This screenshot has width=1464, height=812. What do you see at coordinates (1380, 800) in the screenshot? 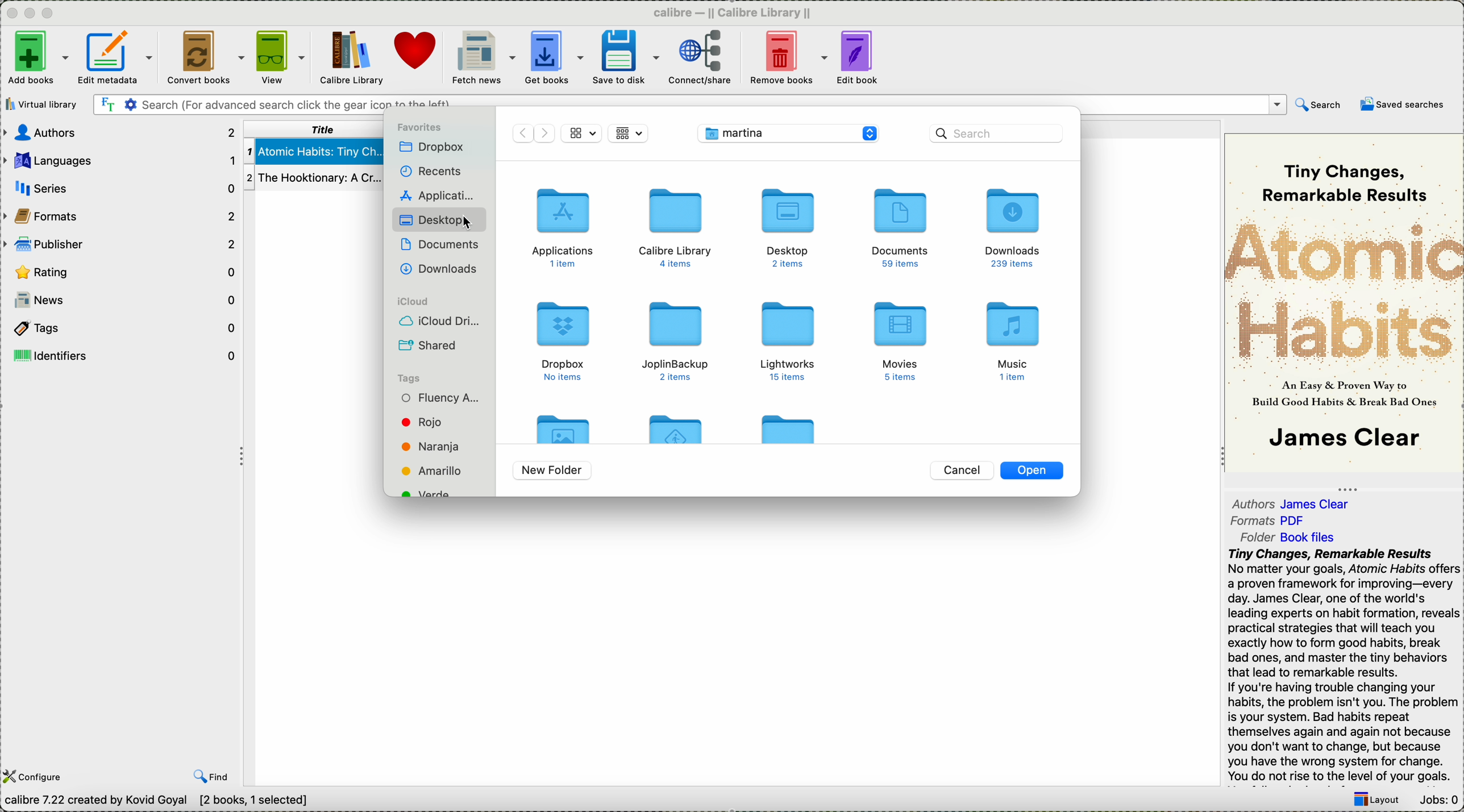
I see `layout` at bounding box center [1380, 800].